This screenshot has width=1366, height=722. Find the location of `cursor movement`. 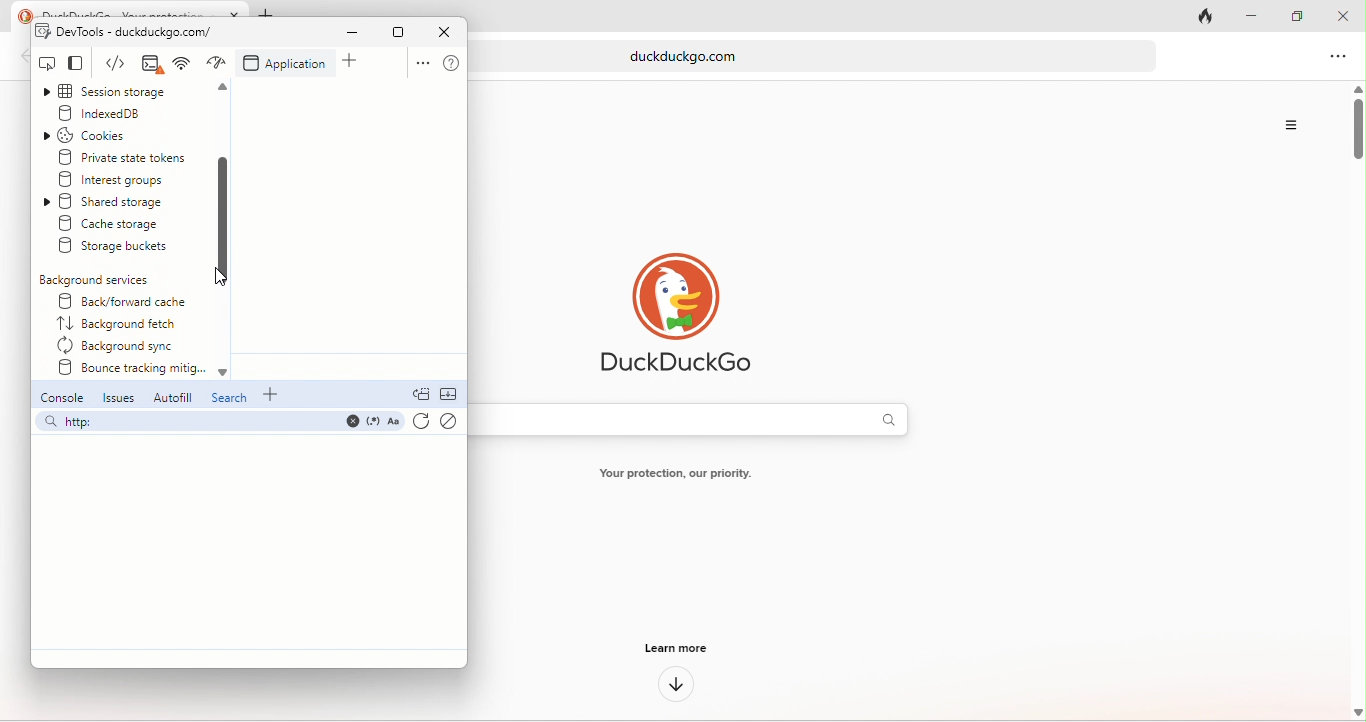

cursor movement is located at coordinates (221, 278).